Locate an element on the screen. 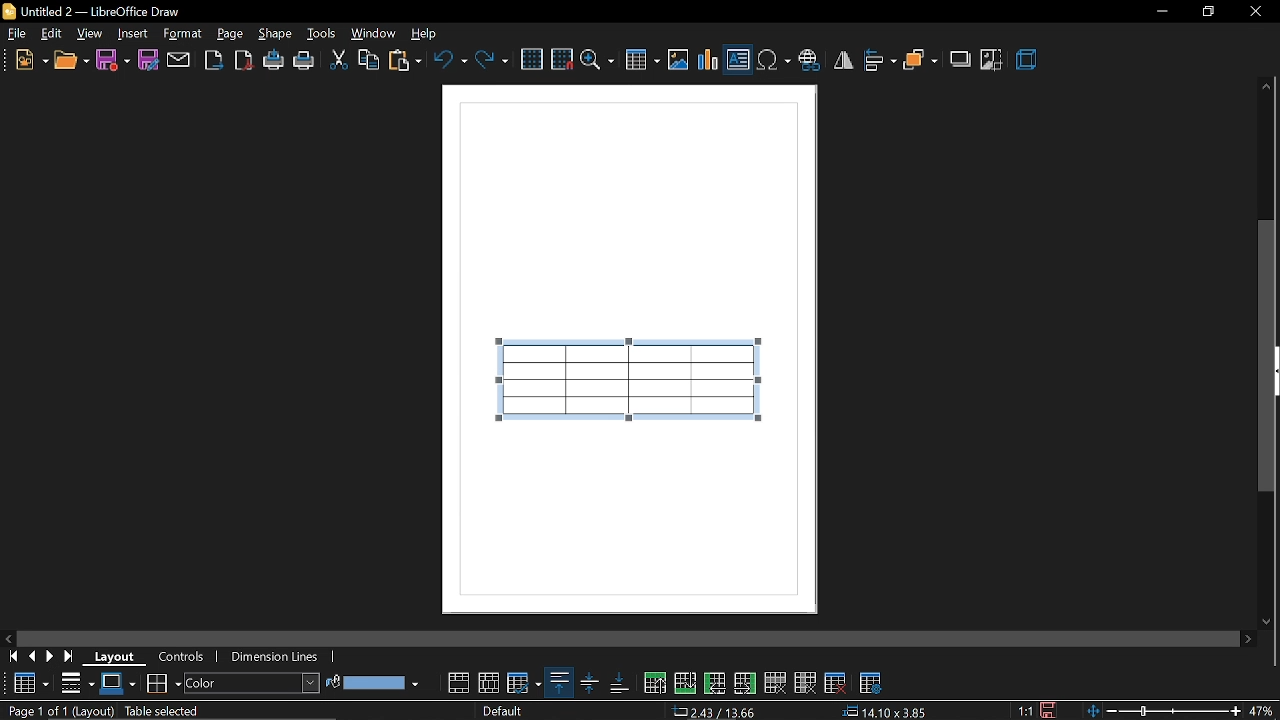 This screenshot has height=720, width=1280. 2.43/13.66 is located at coordinates (718, 712).